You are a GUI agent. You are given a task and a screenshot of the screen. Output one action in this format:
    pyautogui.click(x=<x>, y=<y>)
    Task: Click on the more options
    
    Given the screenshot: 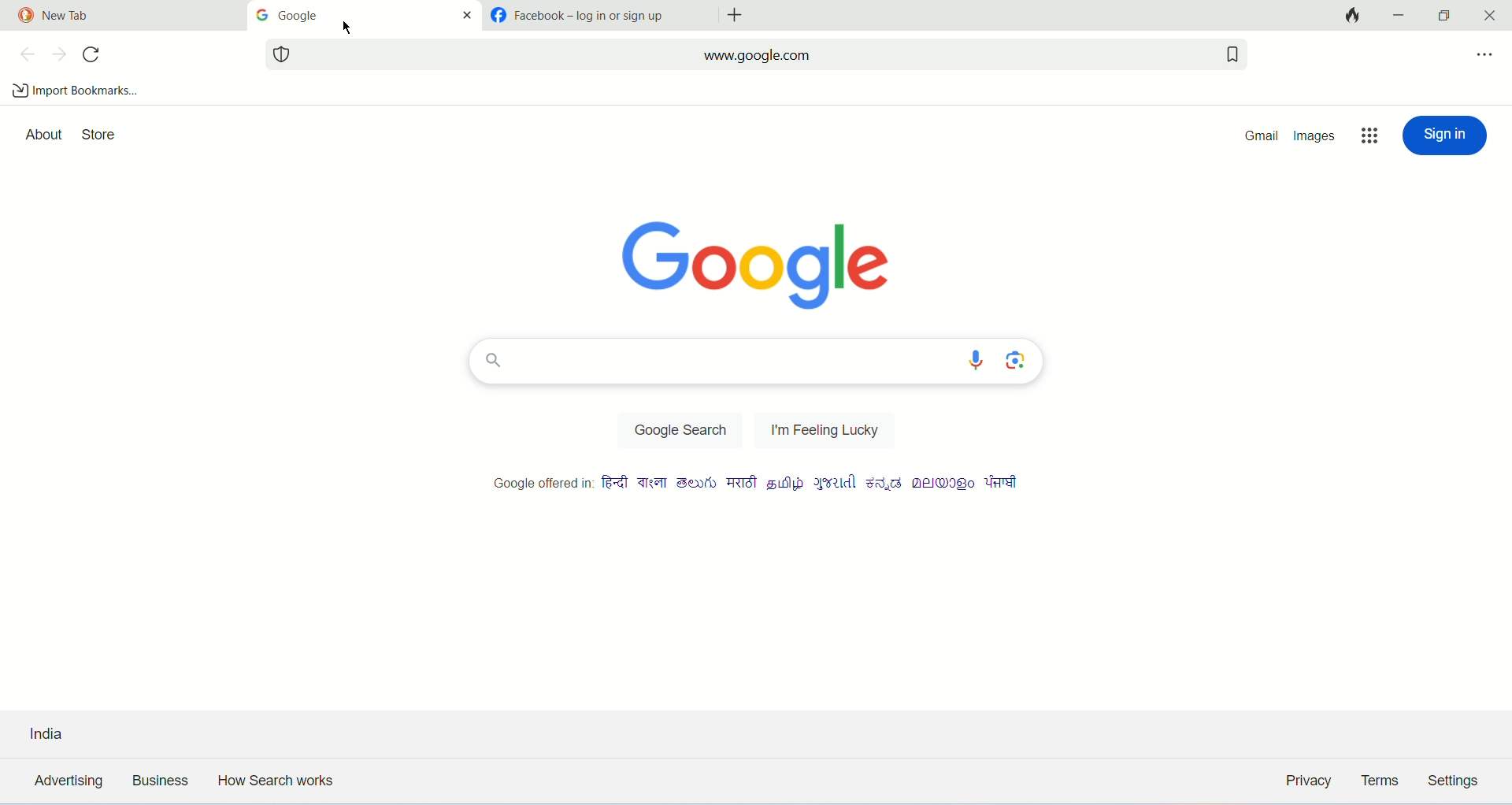 What is the action you would take?
    pyautogui.click(x=1372, y=137)
    